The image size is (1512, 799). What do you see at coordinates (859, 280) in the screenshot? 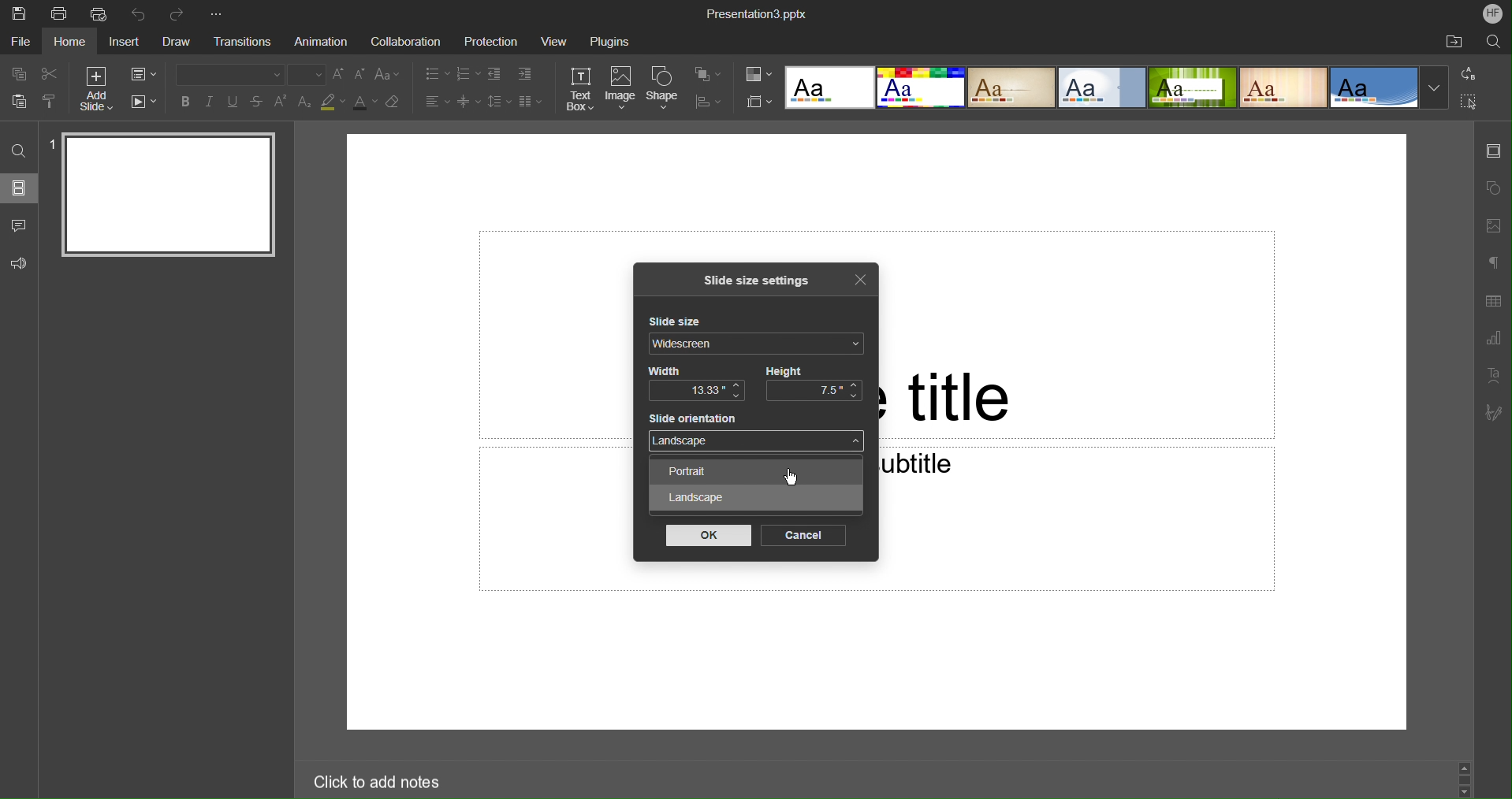
I see `Close` at bounding box center [859, 280].